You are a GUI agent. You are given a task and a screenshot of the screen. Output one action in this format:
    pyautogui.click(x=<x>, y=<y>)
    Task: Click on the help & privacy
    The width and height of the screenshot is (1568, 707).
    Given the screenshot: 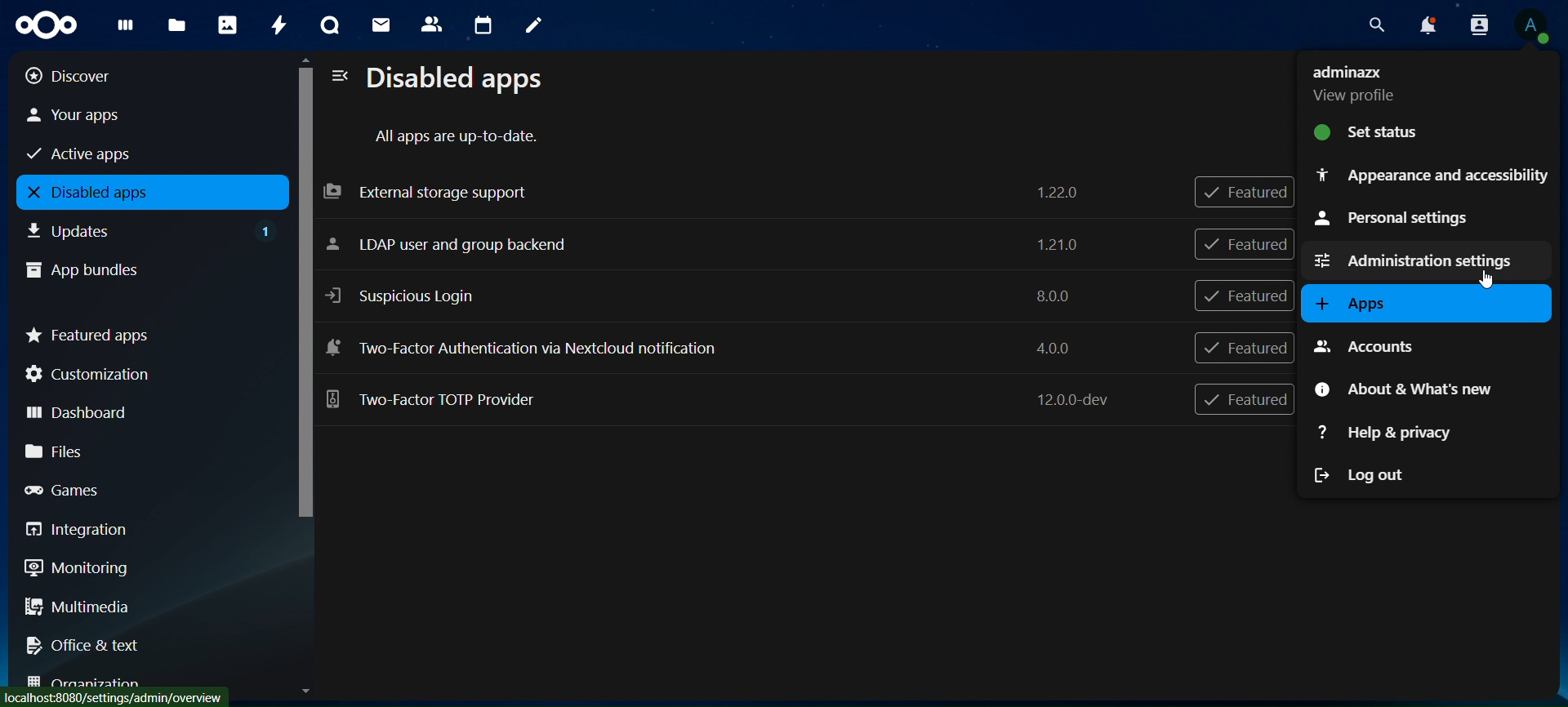 What is the action you would take?
    pyautogui.click(x=1385, y=435)
    